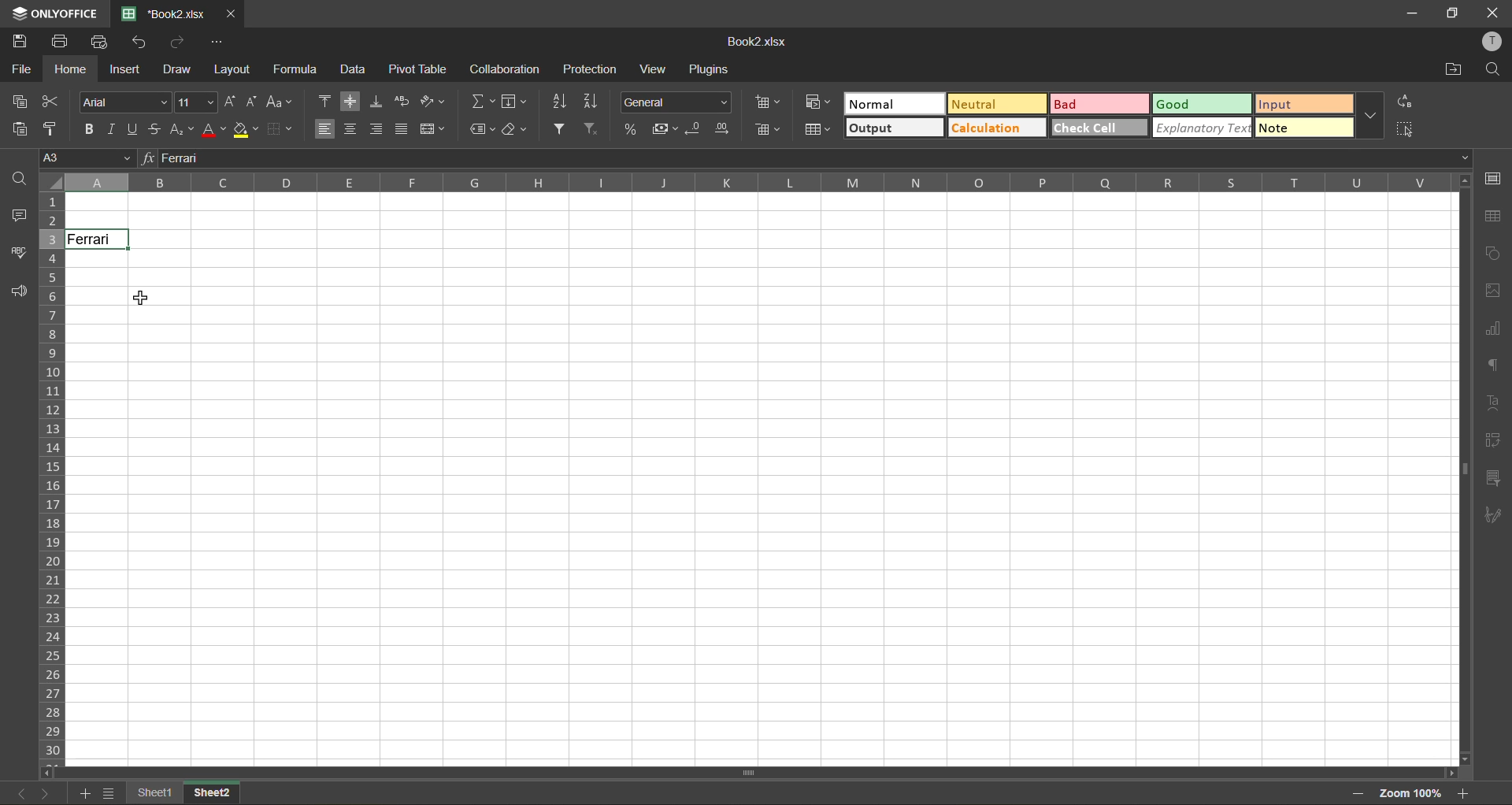 The image size is (1512, 805). Describe the element at coordinates (232, 101) in the screenshot. I see `increment size` at that location.